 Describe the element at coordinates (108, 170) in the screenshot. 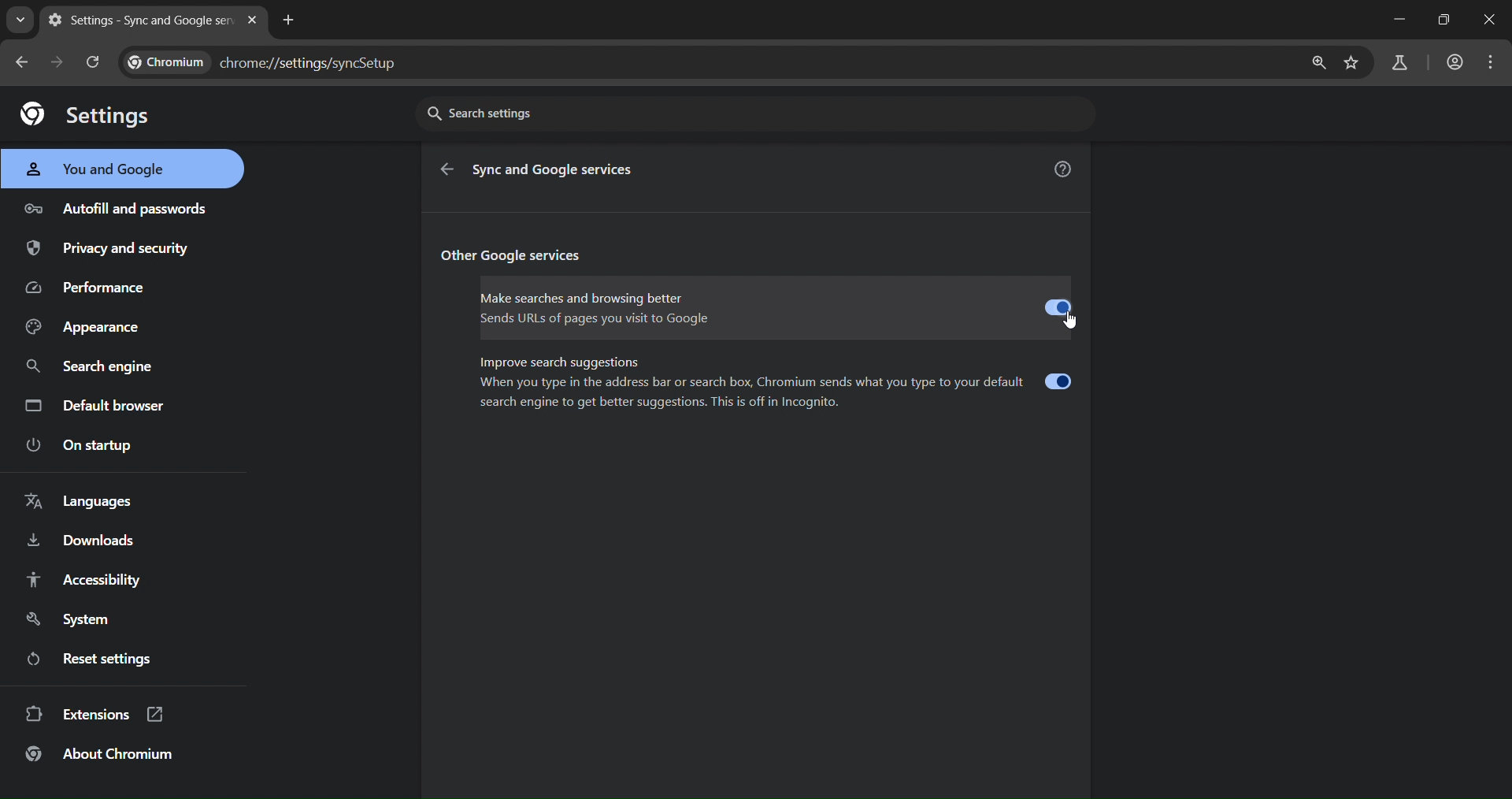

I see `you and google` at that location.